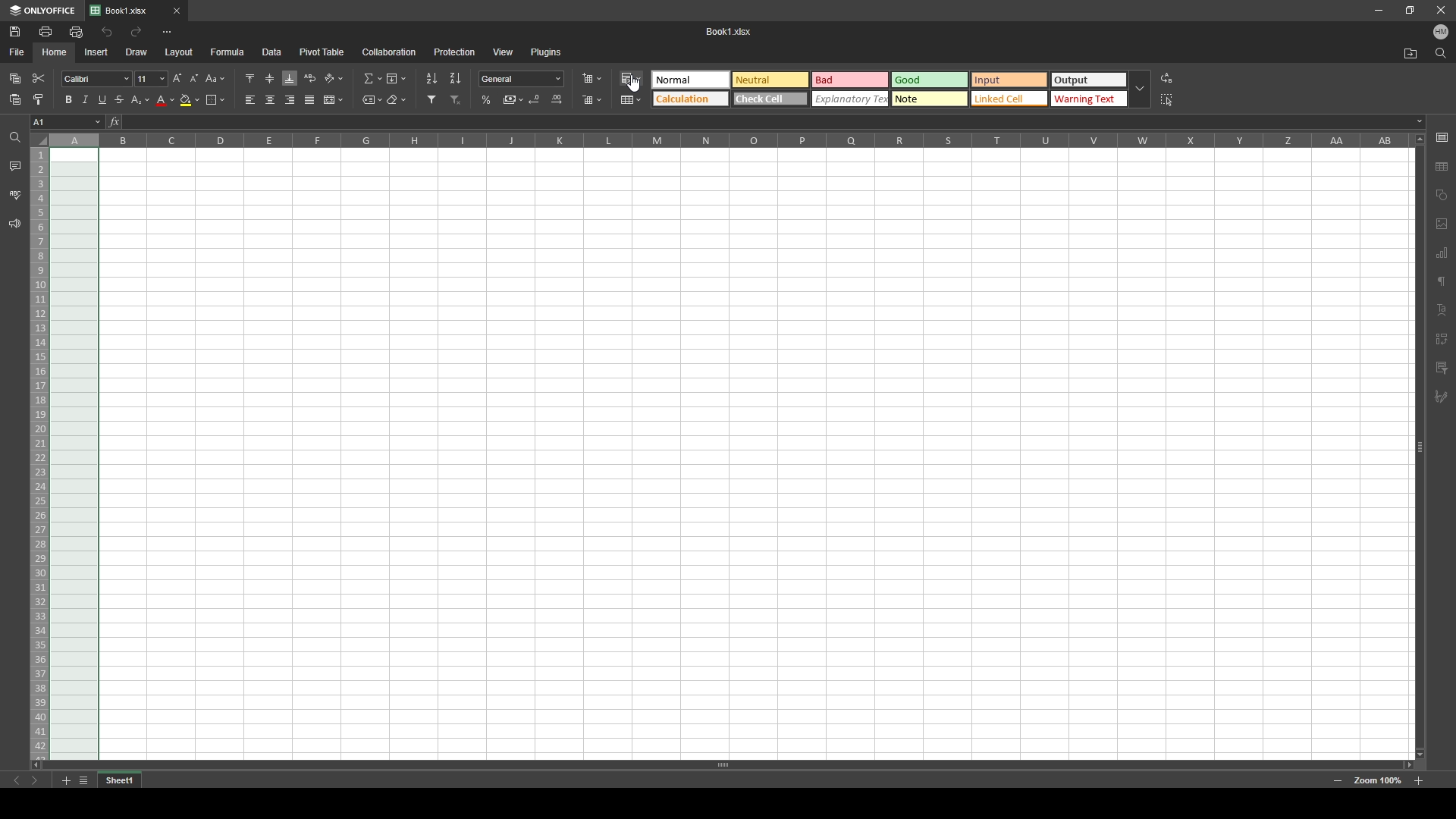  What do you see at coordinates (632, 100) in the screenshot?
I see `format as table template` at bounding box center [632, 100].